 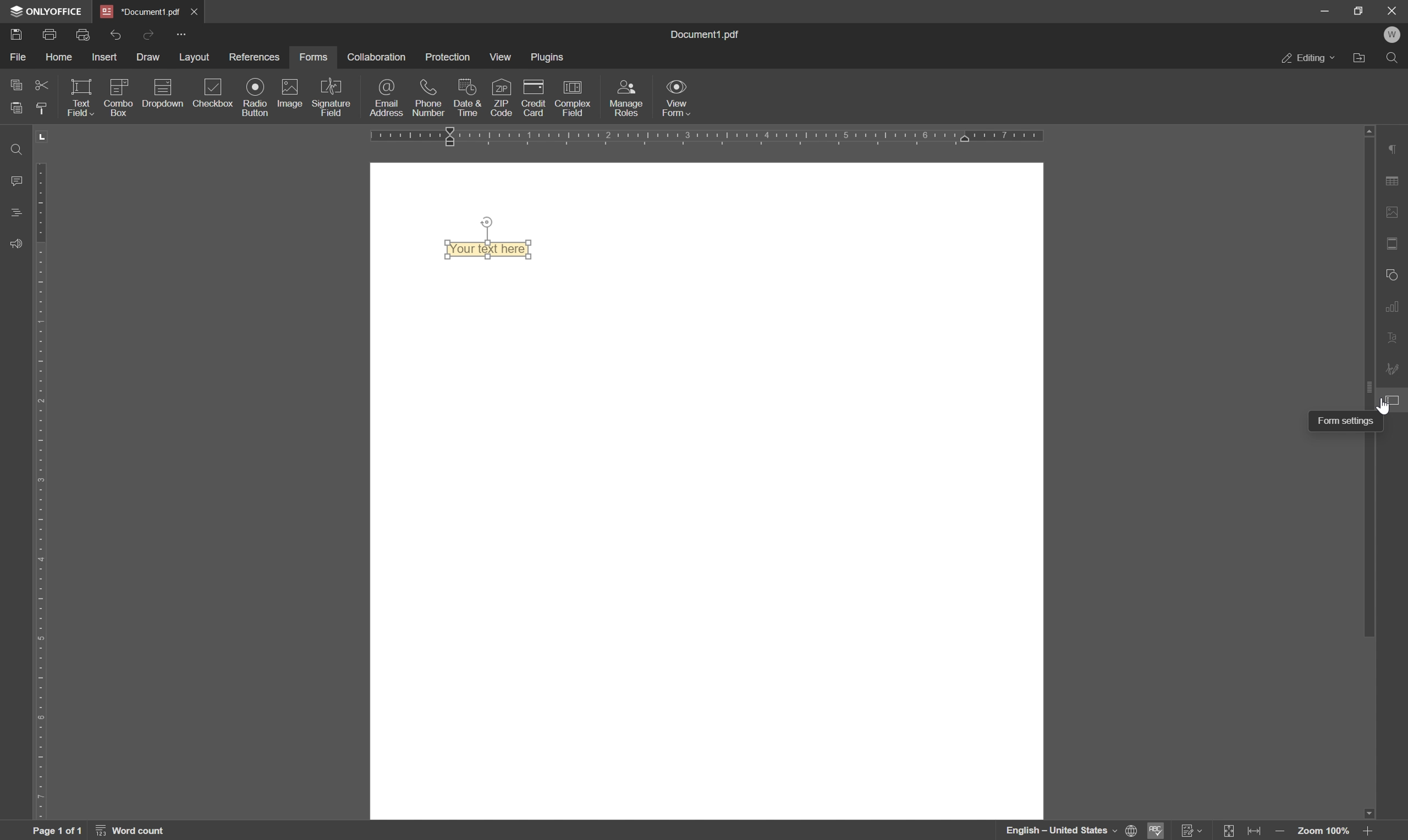 What do you see at coordinates (1395, 308) in the screenshot?
I see `chart settings` at bounding box center [1395, 308].